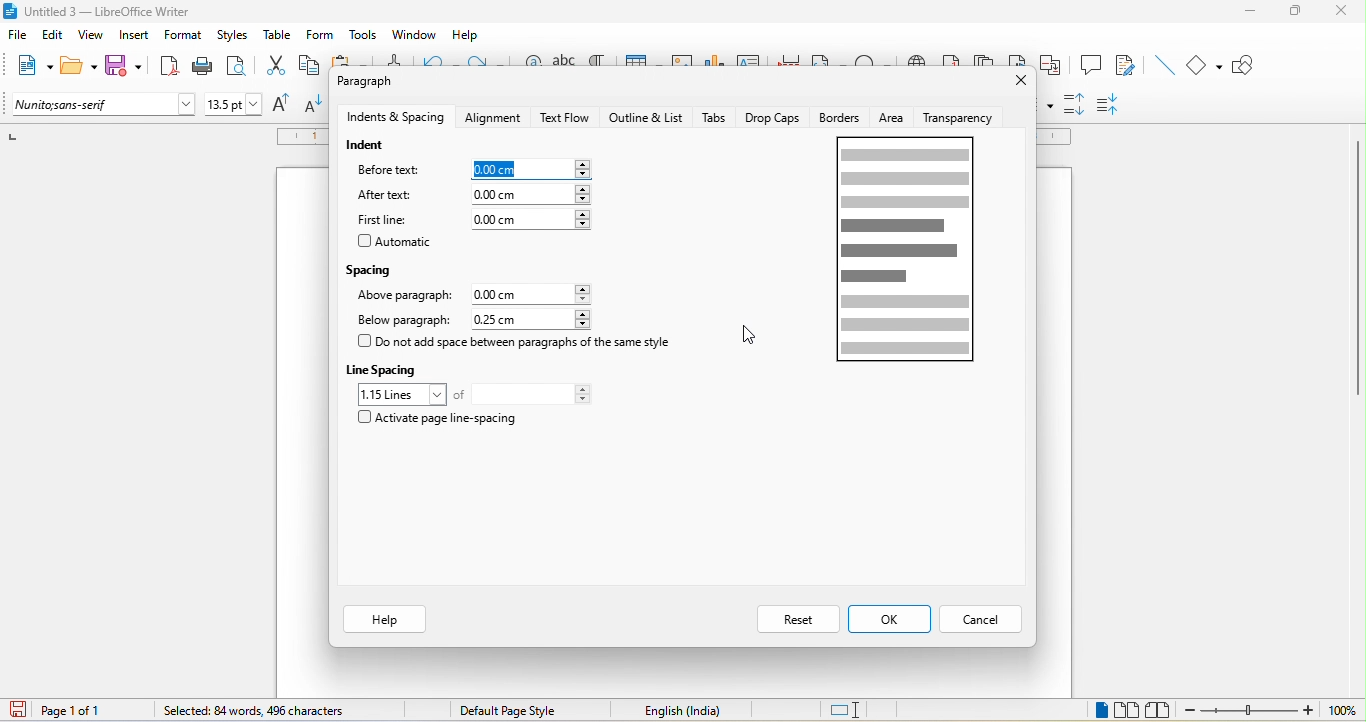  Describe the element at coordinates (386, 219) in the screenshot. I see `first line` at that location.